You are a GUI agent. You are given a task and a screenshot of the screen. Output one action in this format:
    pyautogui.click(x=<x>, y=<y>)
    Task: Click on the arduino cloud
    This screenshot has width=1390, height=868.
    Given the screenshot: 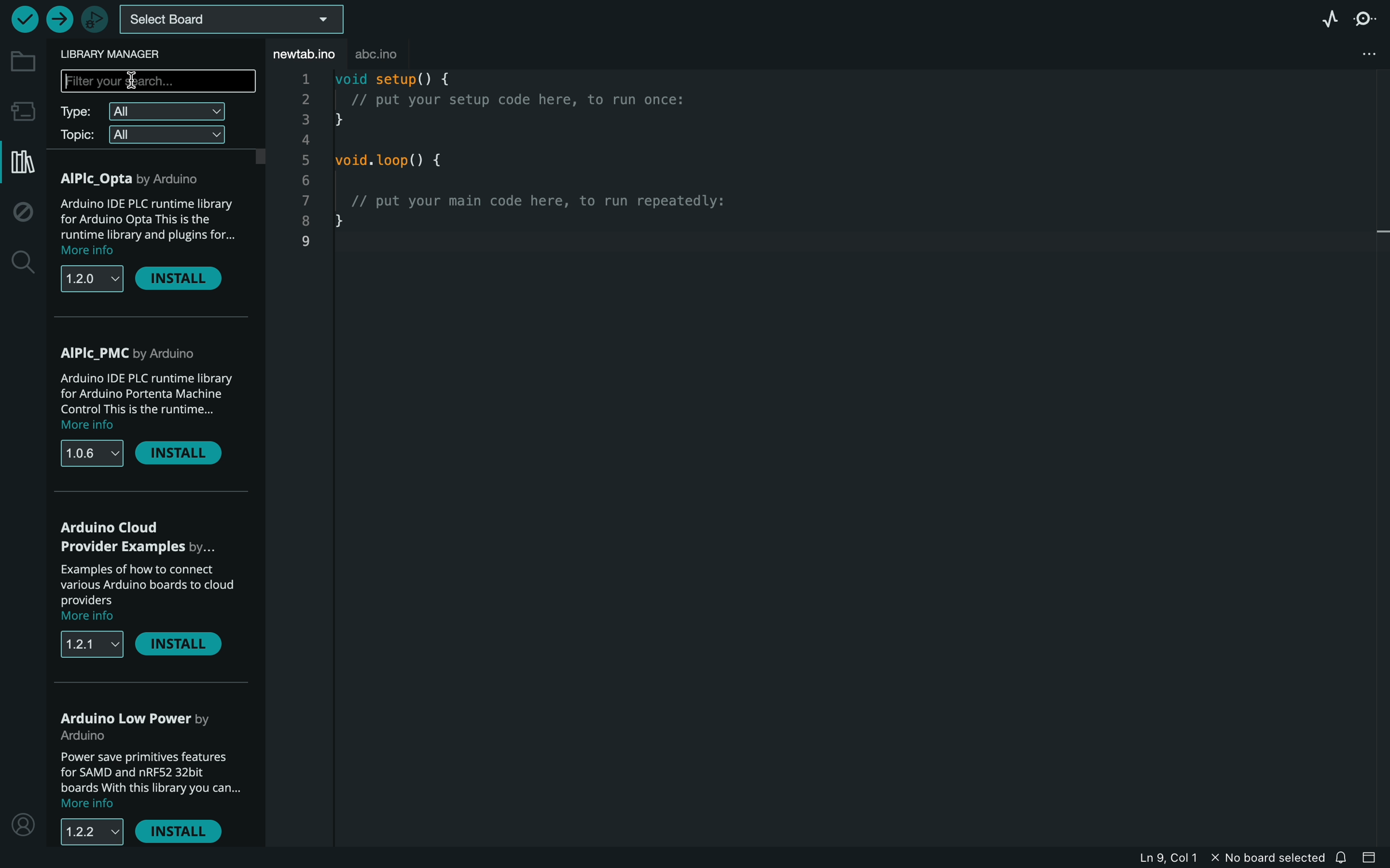 What is the action you would take?
    pyautogui.click(x=138, y=538)
    